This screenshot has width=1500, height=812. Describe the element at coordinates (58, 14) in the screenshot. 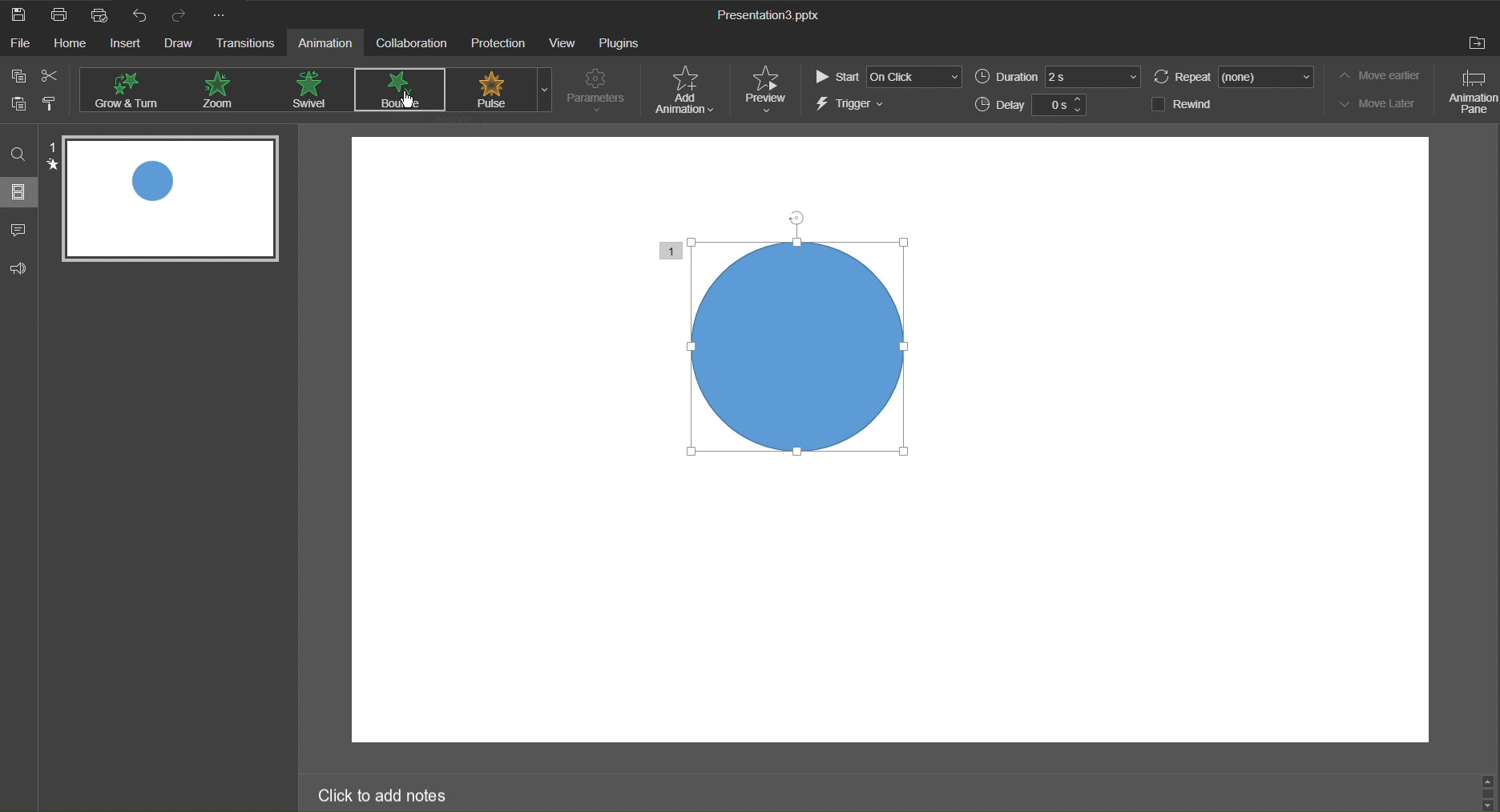

I see `Print` at that location.